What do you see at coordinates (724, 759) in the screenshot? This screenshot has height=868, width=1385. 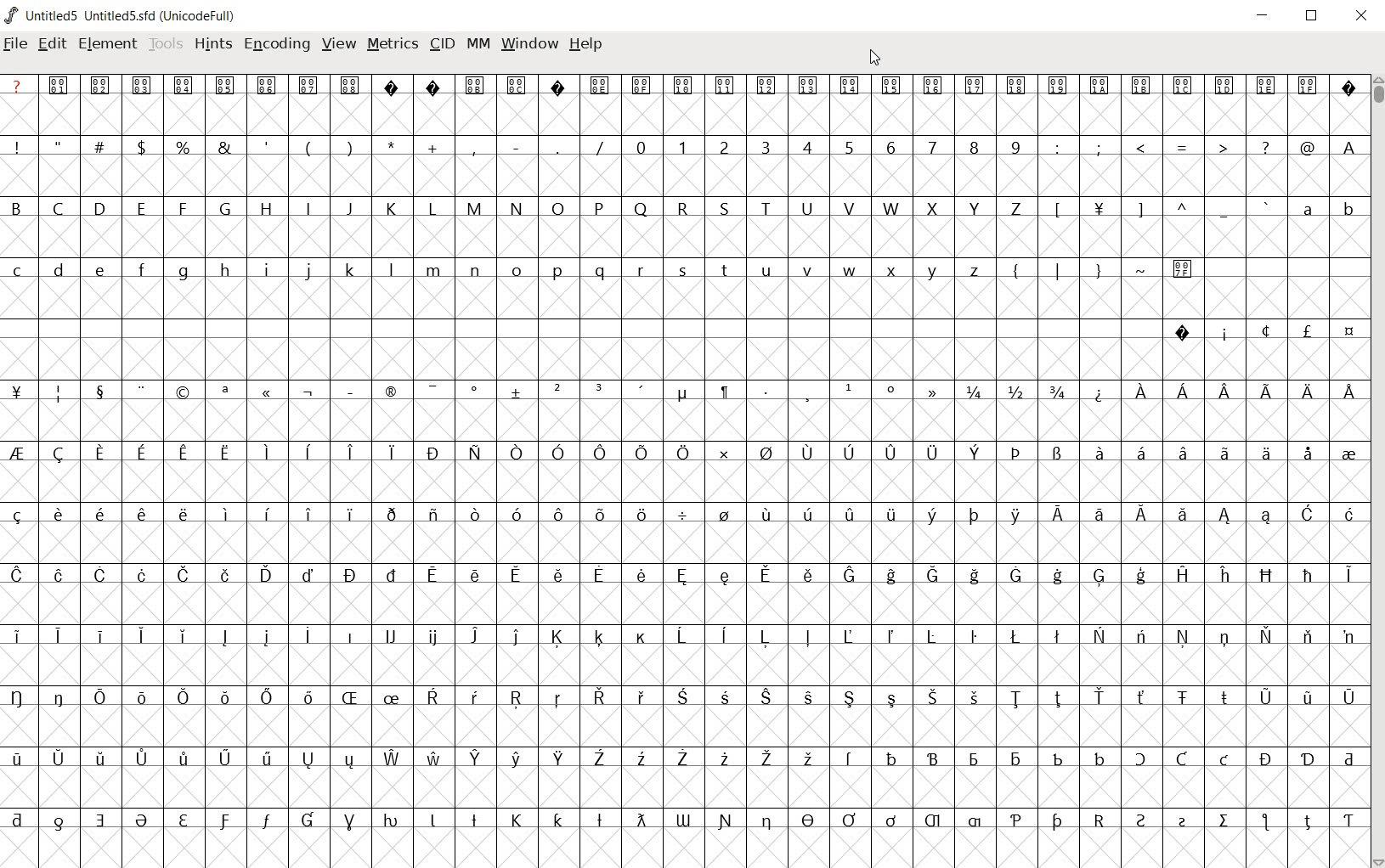 I see `Symbol` at bounding box center [724, 759].